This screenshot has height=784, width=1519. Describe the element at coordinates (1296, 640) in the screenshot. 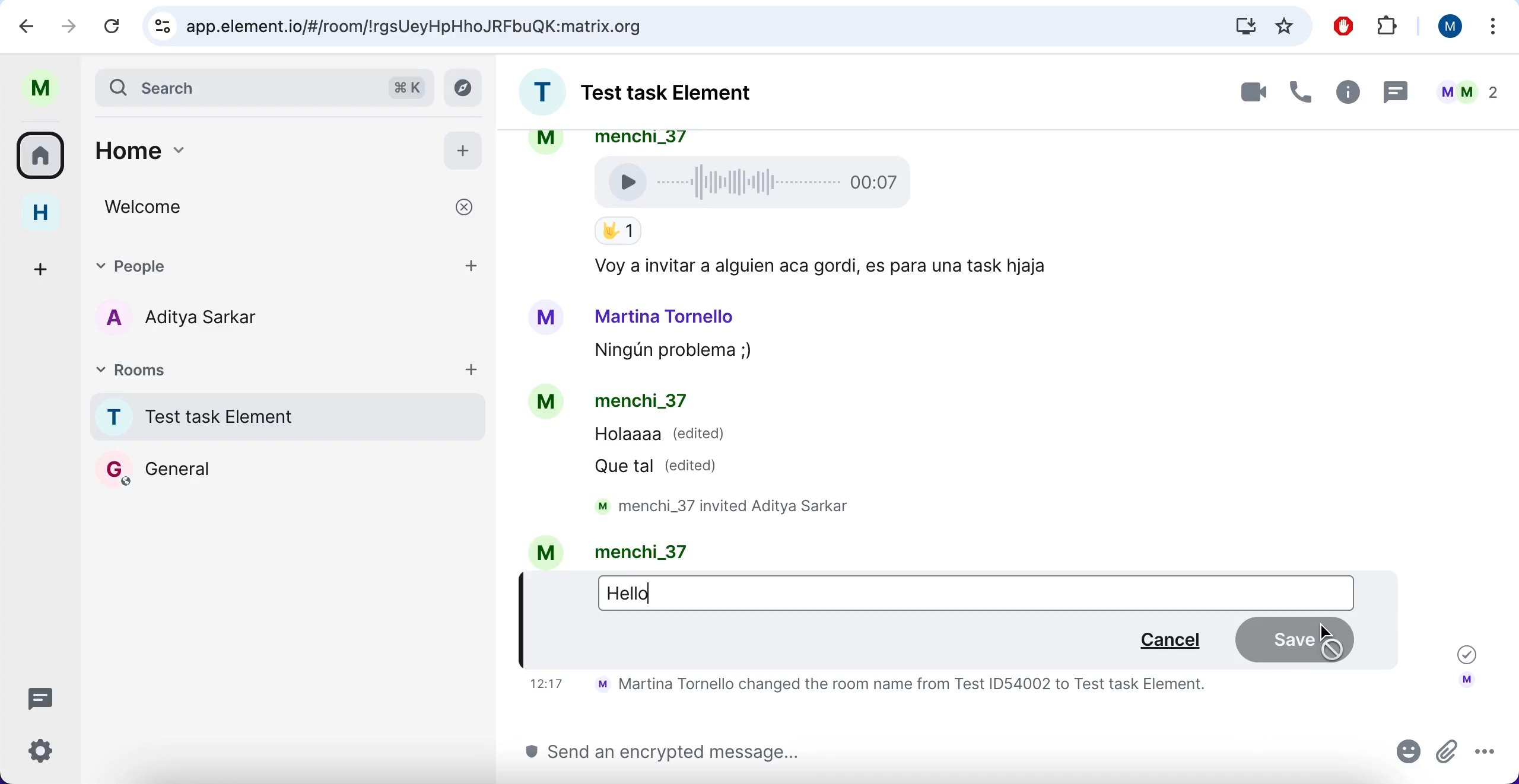

I see `save` at that location.